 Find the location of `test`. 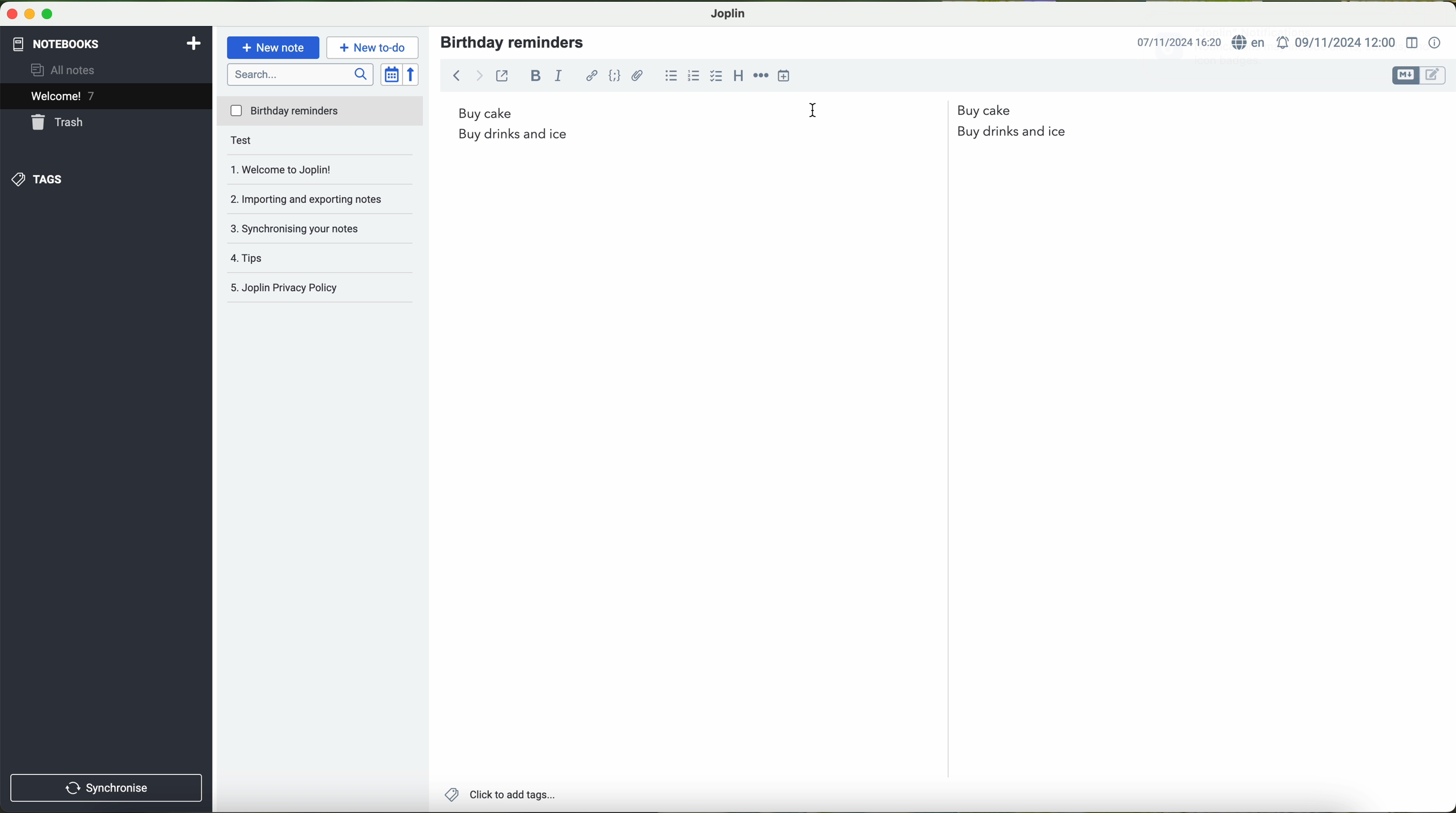

test is located at coordinates (261, 142).